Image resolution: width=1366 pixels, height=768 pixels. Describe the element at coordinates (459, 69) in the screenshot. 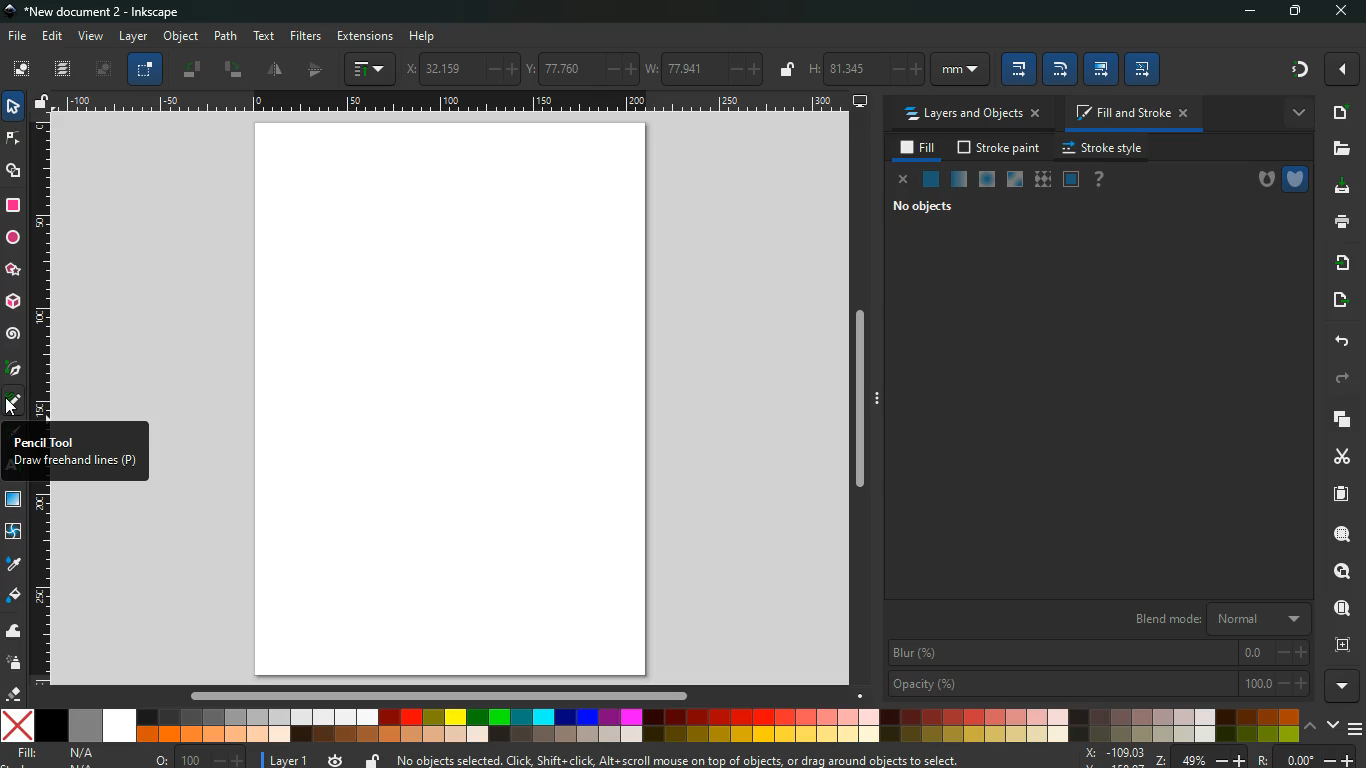

I see `x` at that location.